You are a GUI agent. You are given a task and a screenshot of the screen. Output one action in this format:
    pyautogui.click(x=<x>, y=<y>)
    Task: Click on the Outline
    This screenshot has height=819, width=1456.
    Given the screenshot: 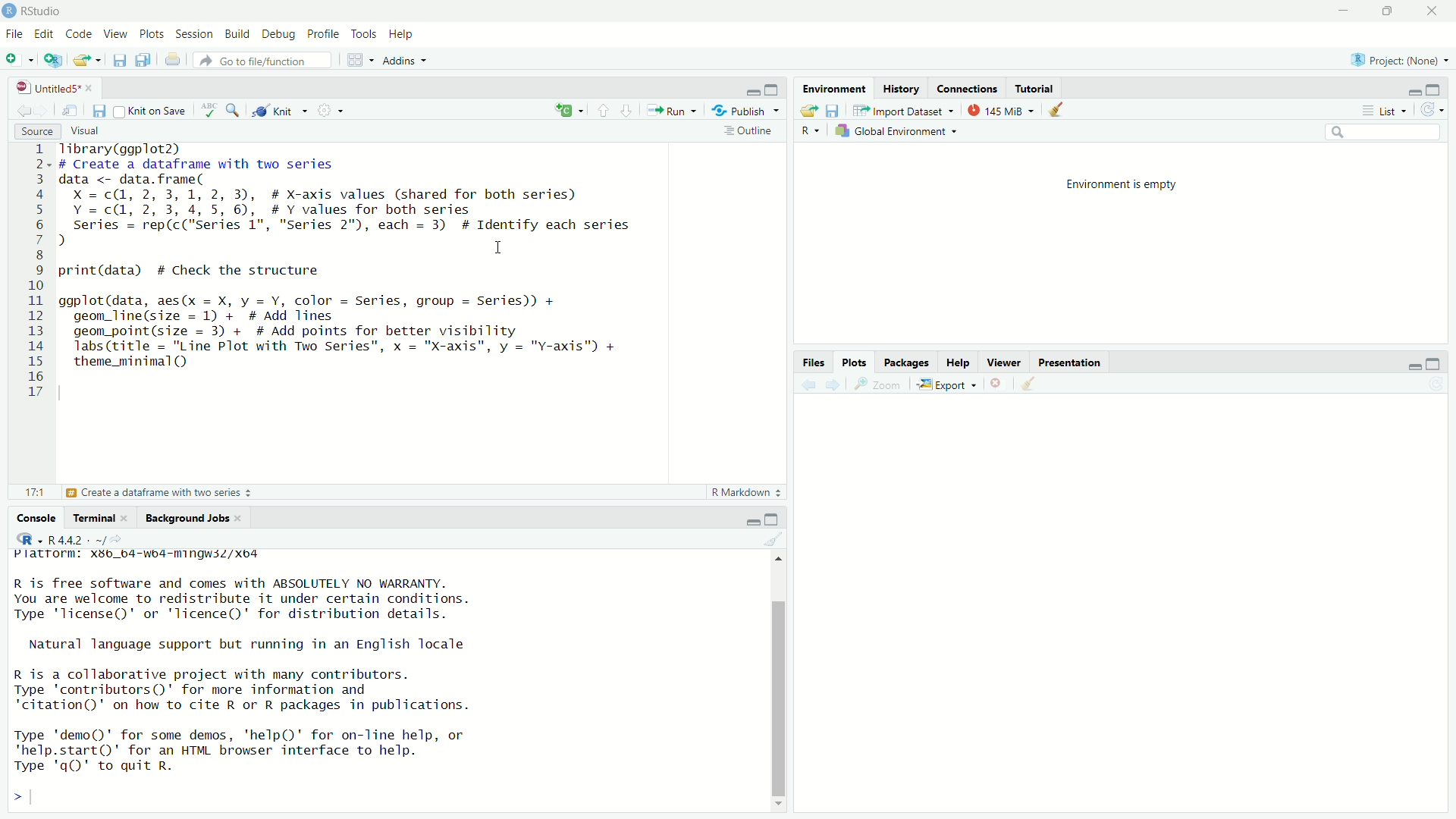 What is the action you would take?
    pyautogui.click(x=748, y=130)
    